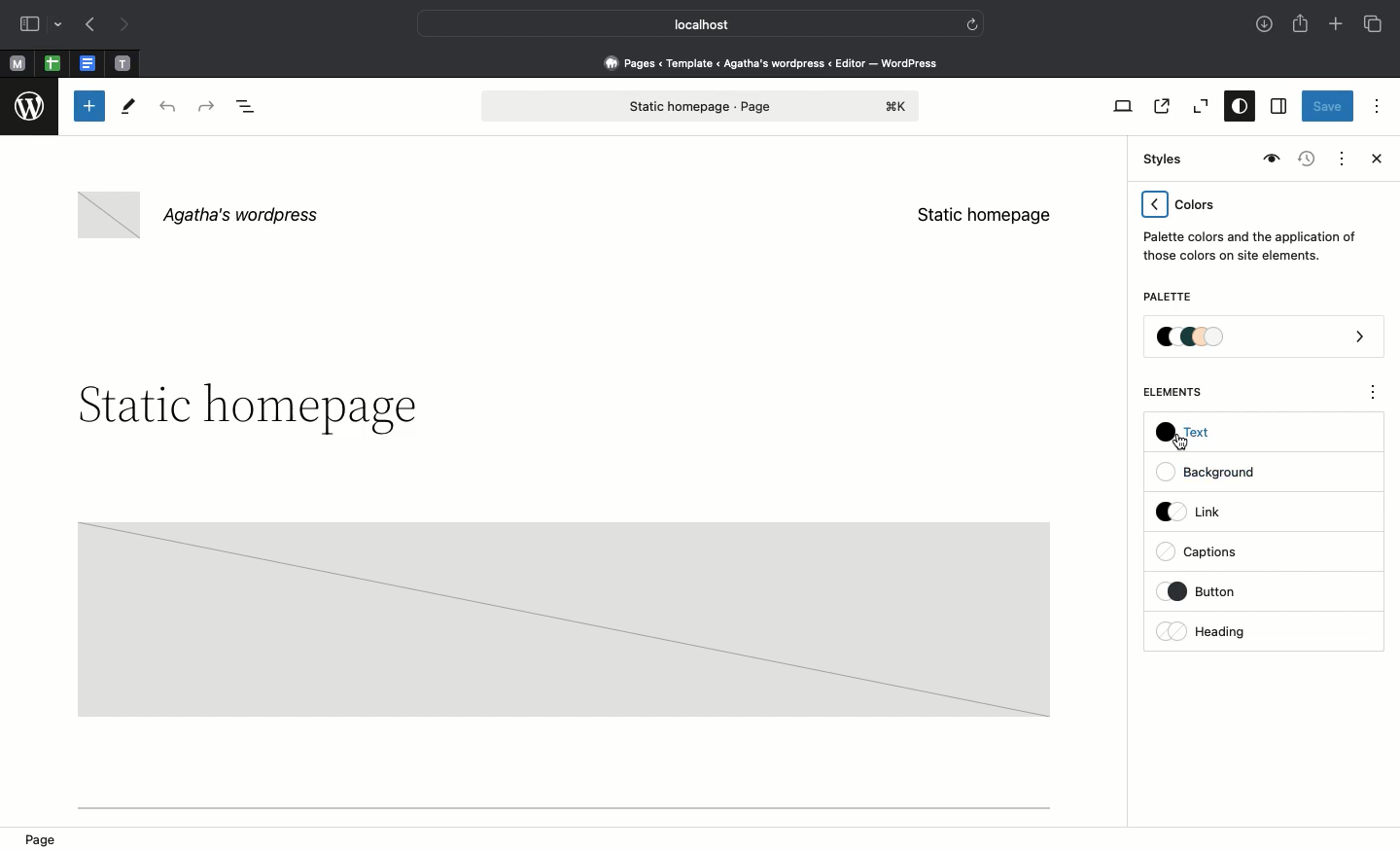 This screenshot has height=850, width=1400. Describe the element at coordinates (1328, 108) in the screenshot. I see `Save` at that location.